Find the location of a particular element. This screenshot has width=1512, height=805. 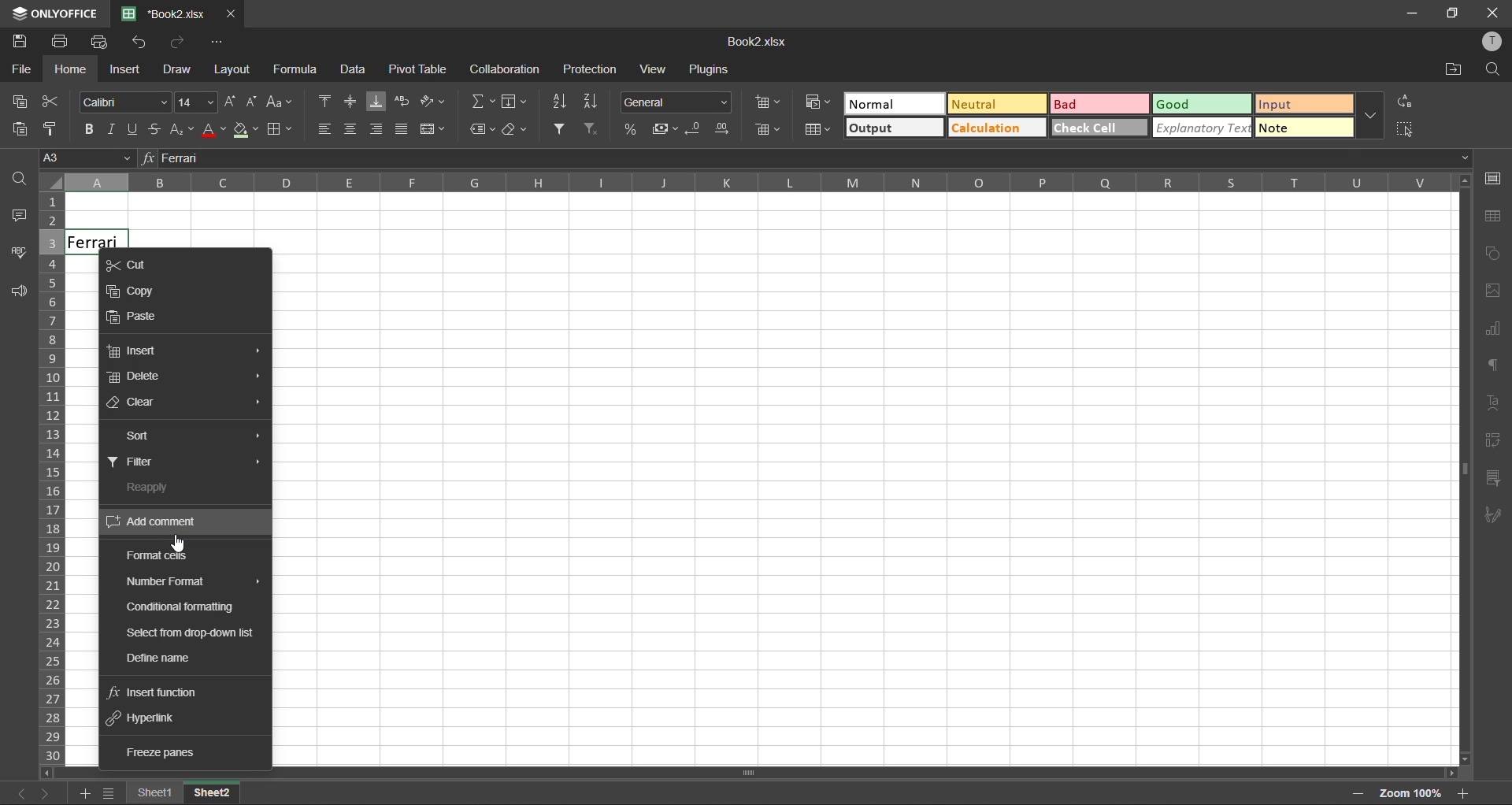

number format is located at coordinates (676, 102).